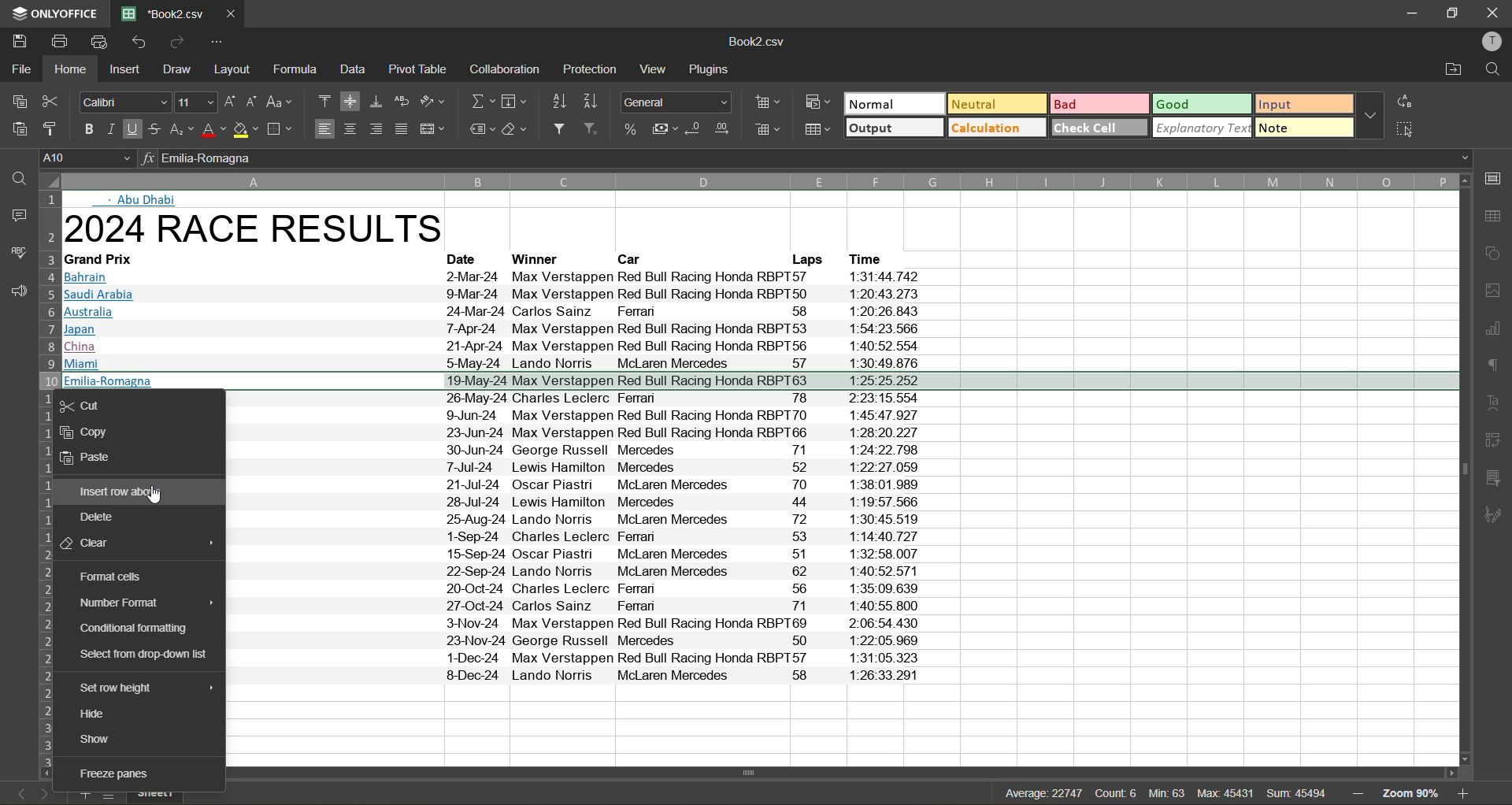 Image resolution: width=1512 pixels, height=805 pixels. What do you see at coordinates (165, 793) in the screenshot?
I see `sheet name: sheet1` at bounding box center [165, 793].